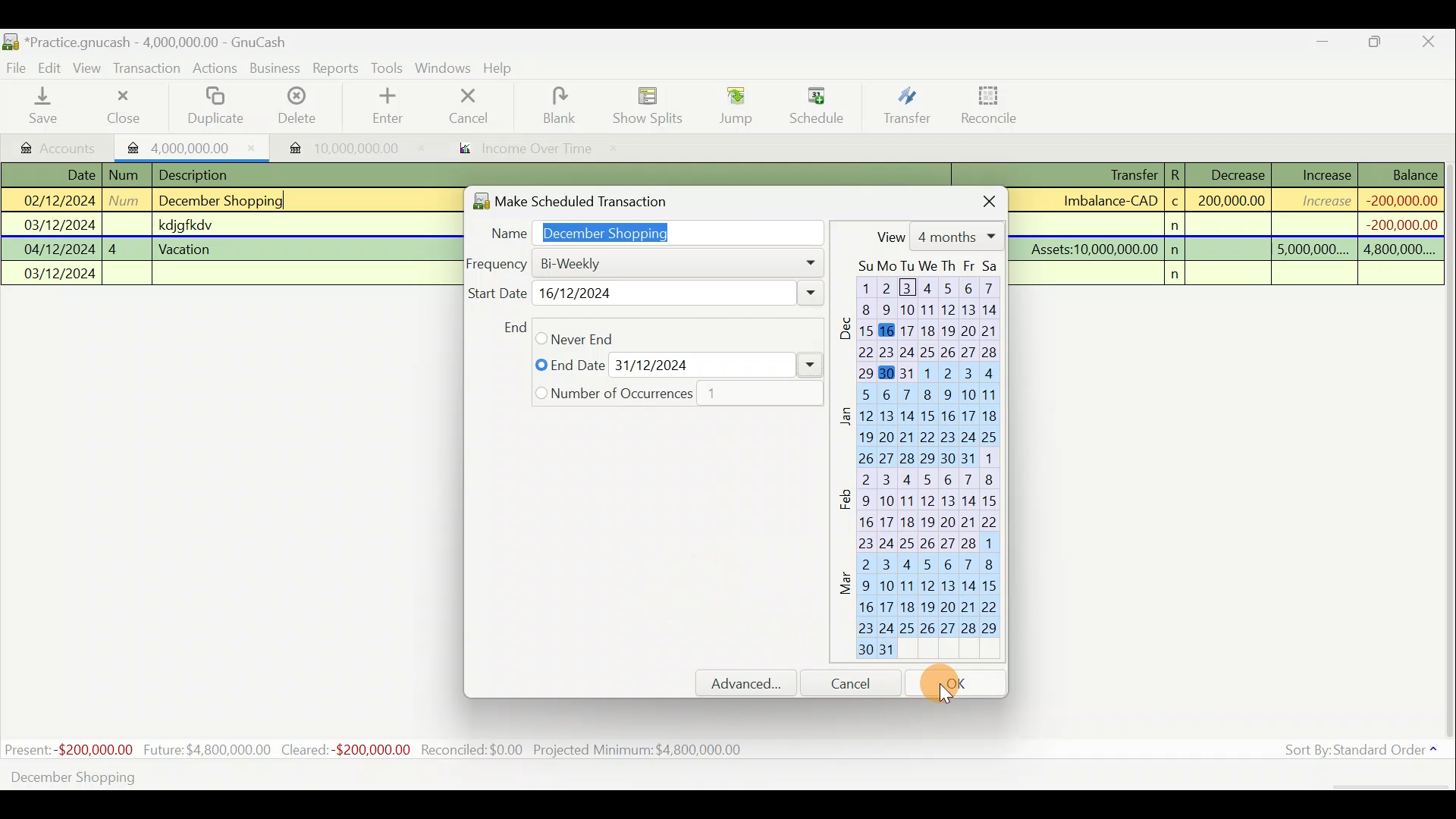 The image size is (1456, 819). I want to click on Daily, so click(607, 262).